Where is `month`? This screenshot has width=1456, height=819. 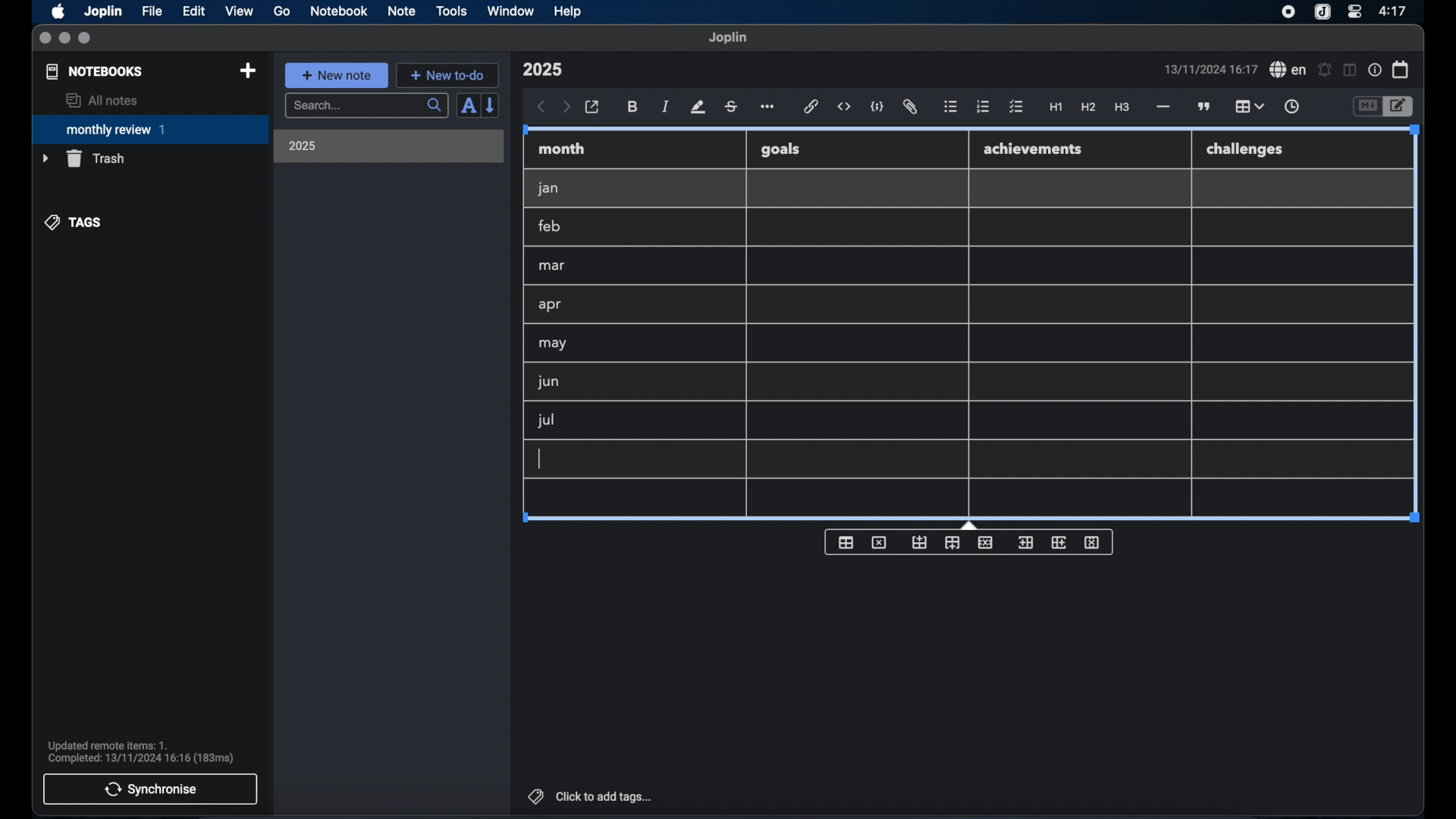
month is located at coordinates (562, 149).